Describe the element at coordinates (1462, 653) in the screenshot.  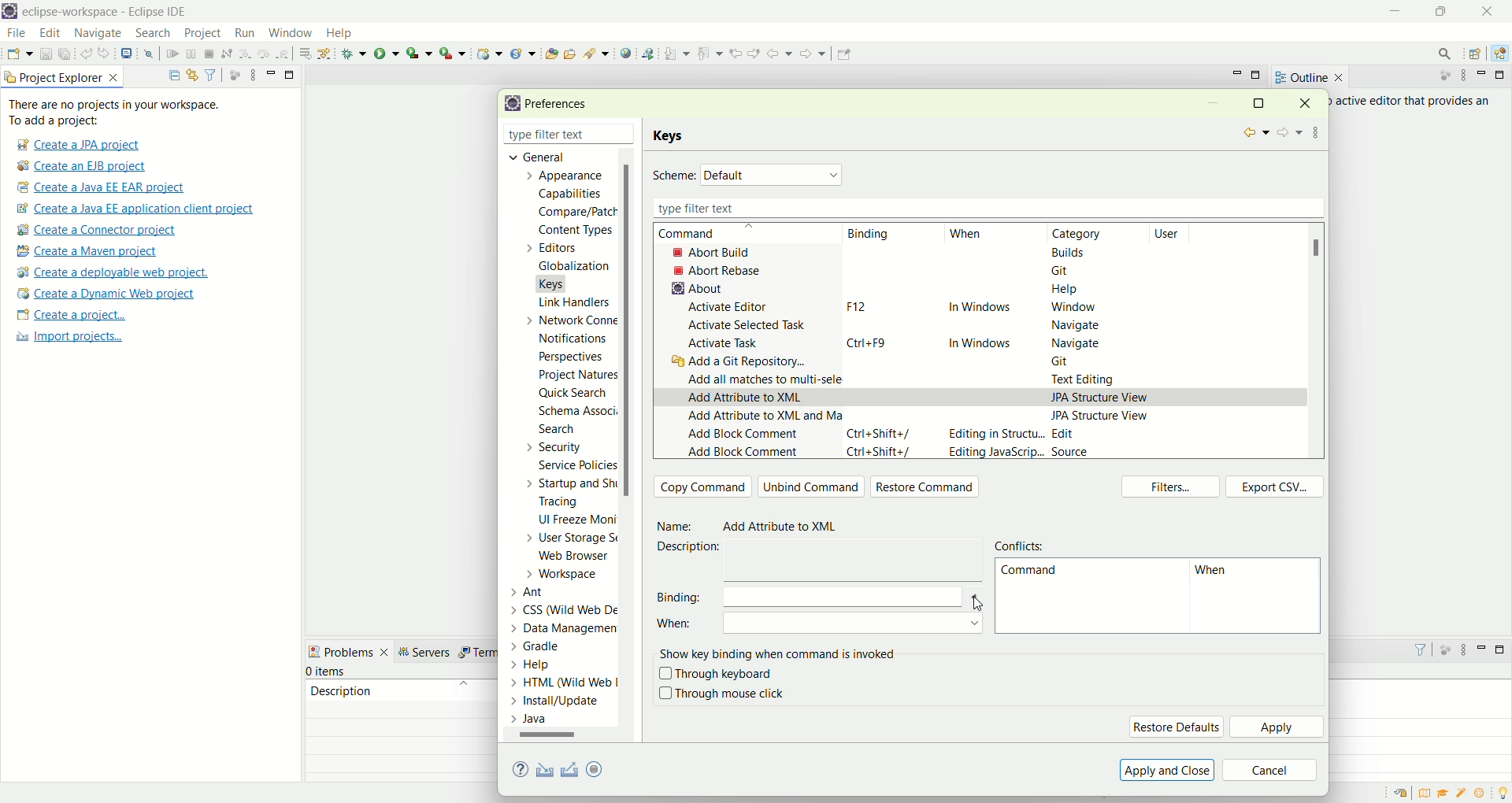
I see `view menu` at that location.